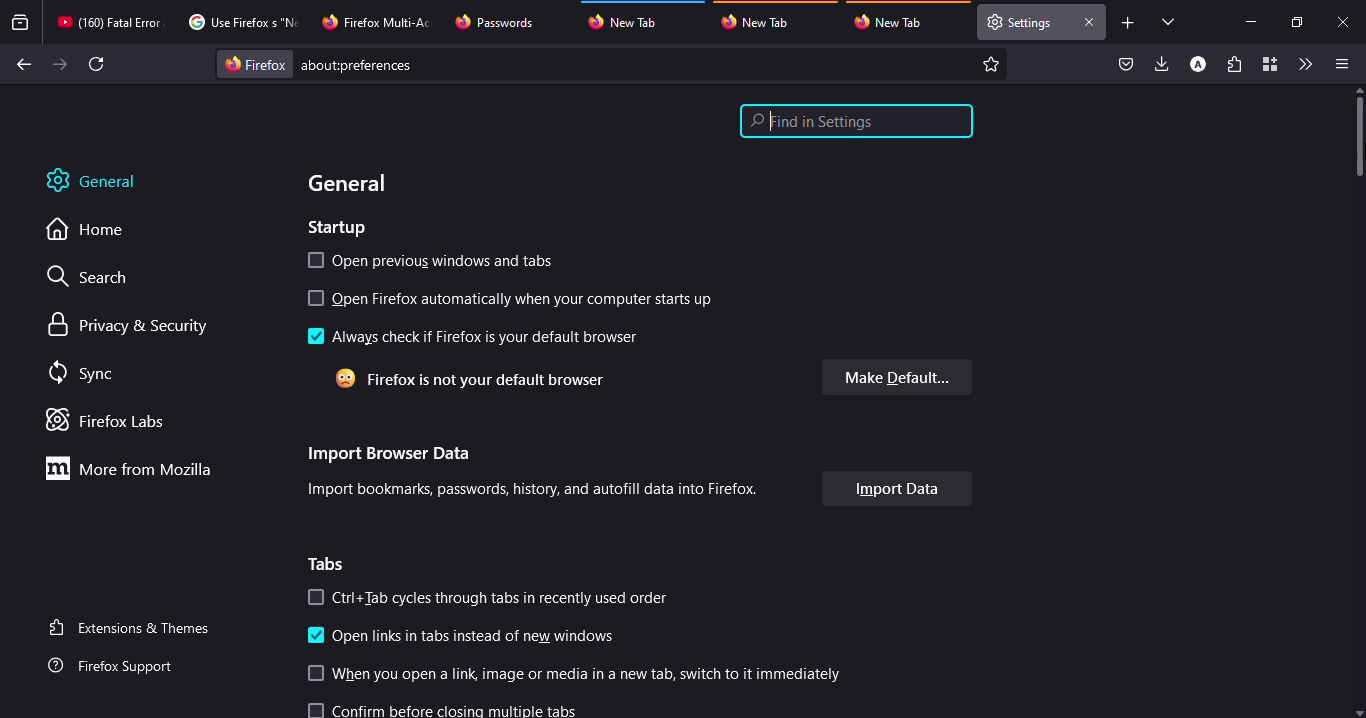  What do you see at coordinates (1234, 66) in the screenshot?
I see `extensions` at bounding box center [1234, 66].